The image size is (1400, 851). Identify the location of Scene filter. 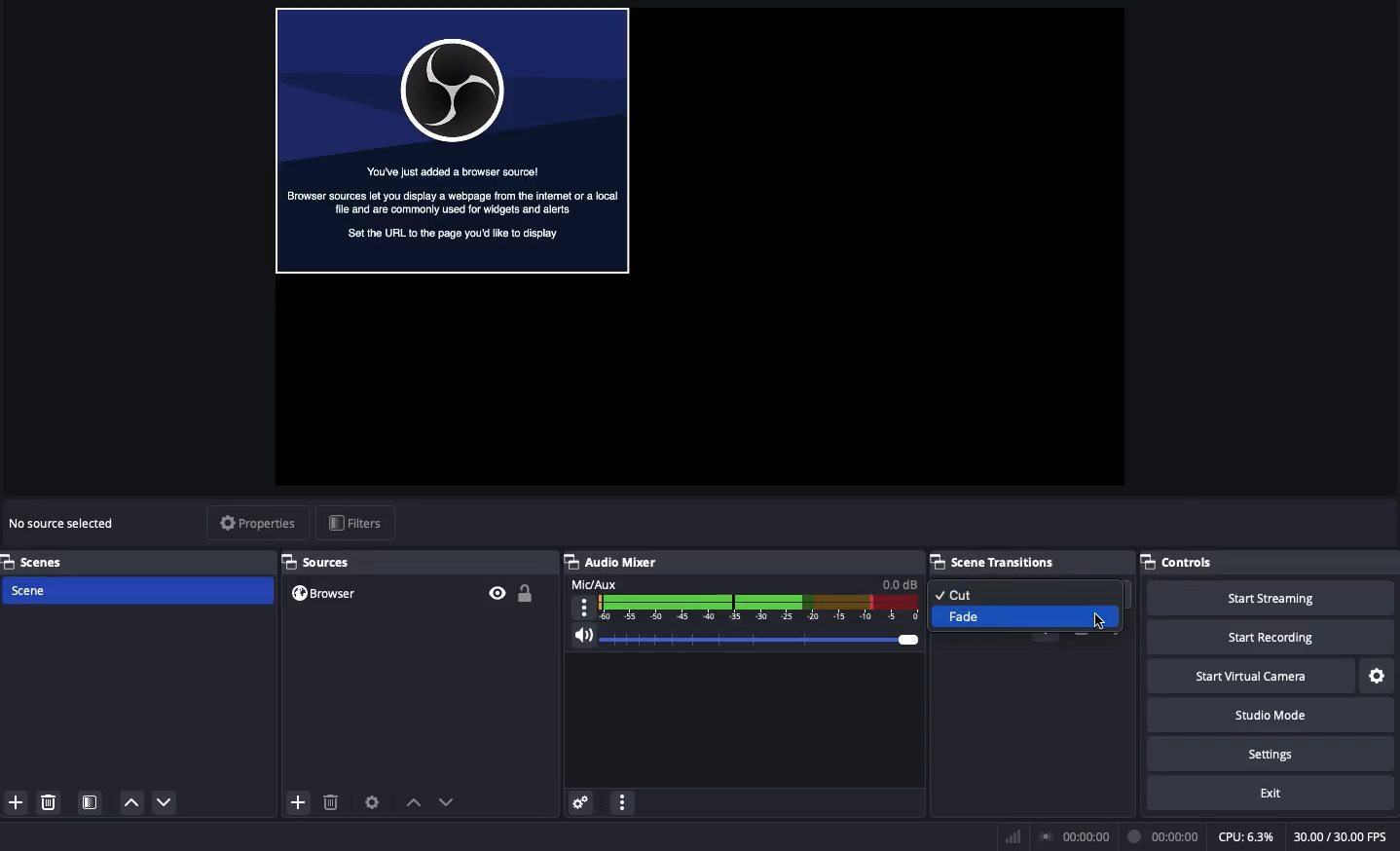
(91, 804).